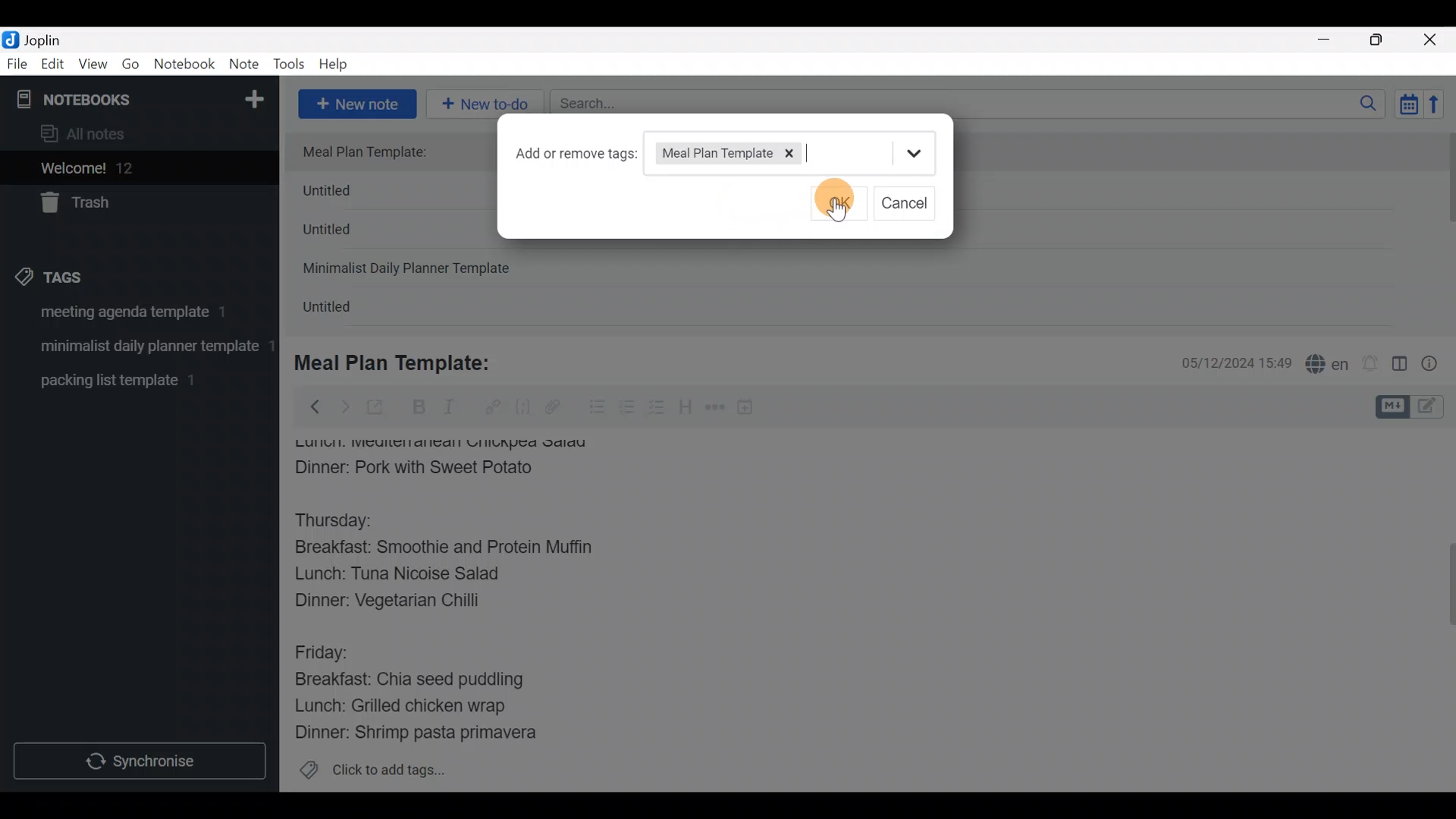  I want to click on Dinner: Vegetarian Chilli, so click(401, 604).